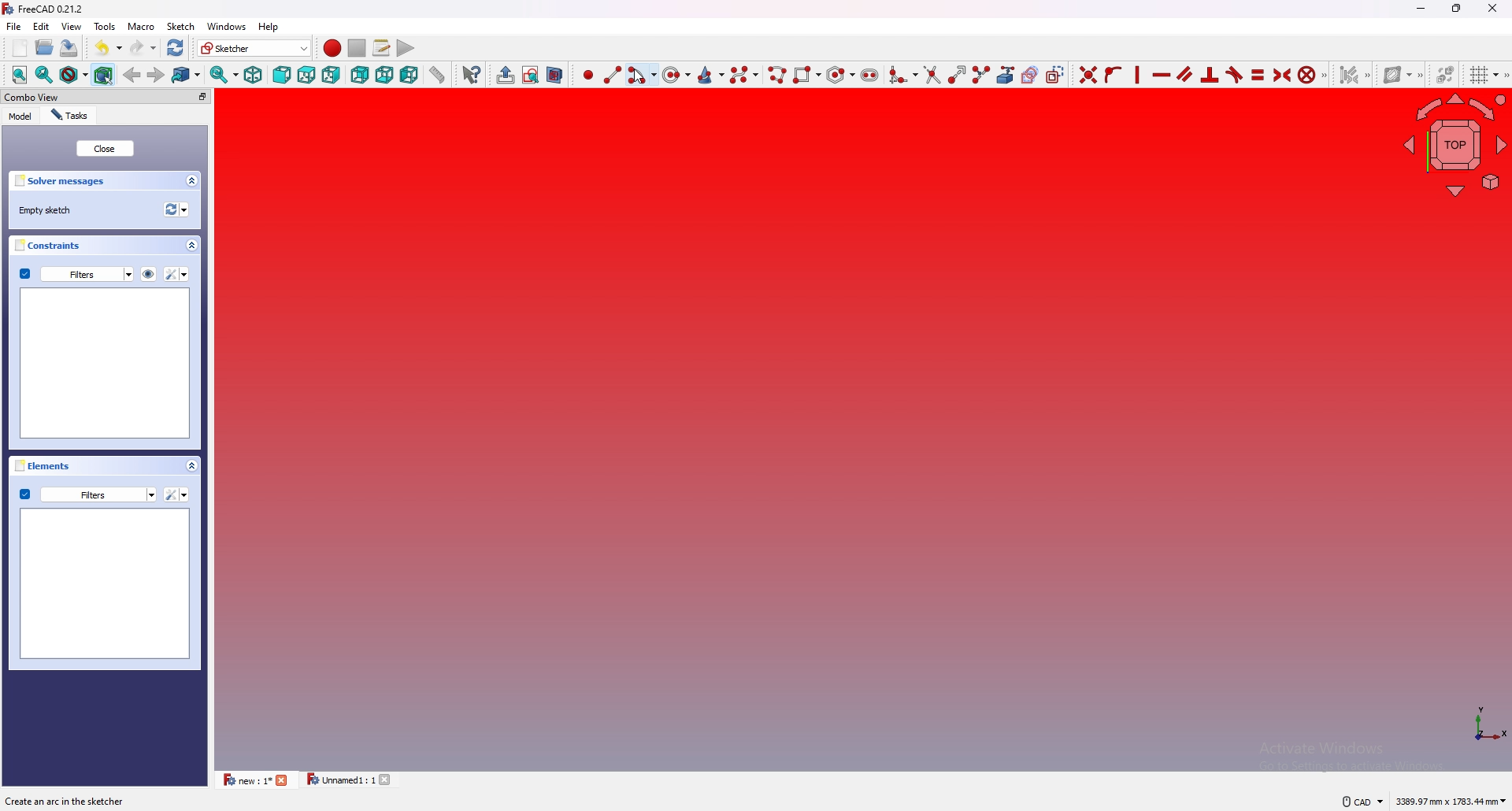  Describe the element at coordinates (471, 75) in the screenshot. I see `Whats this?` at that location.